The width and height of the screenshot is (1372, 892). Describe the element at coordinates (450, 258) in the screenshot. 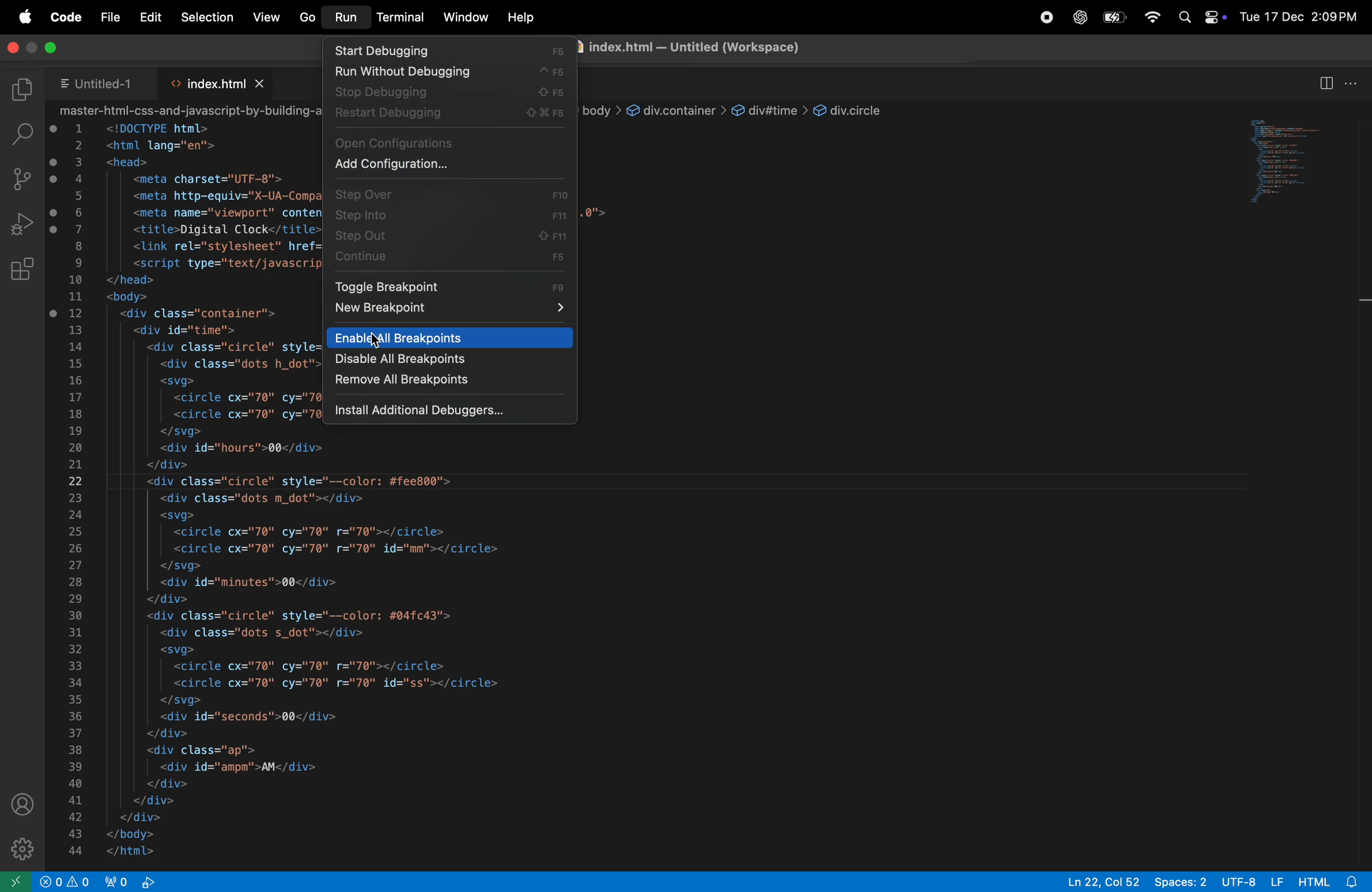

I see `continue` at that location.